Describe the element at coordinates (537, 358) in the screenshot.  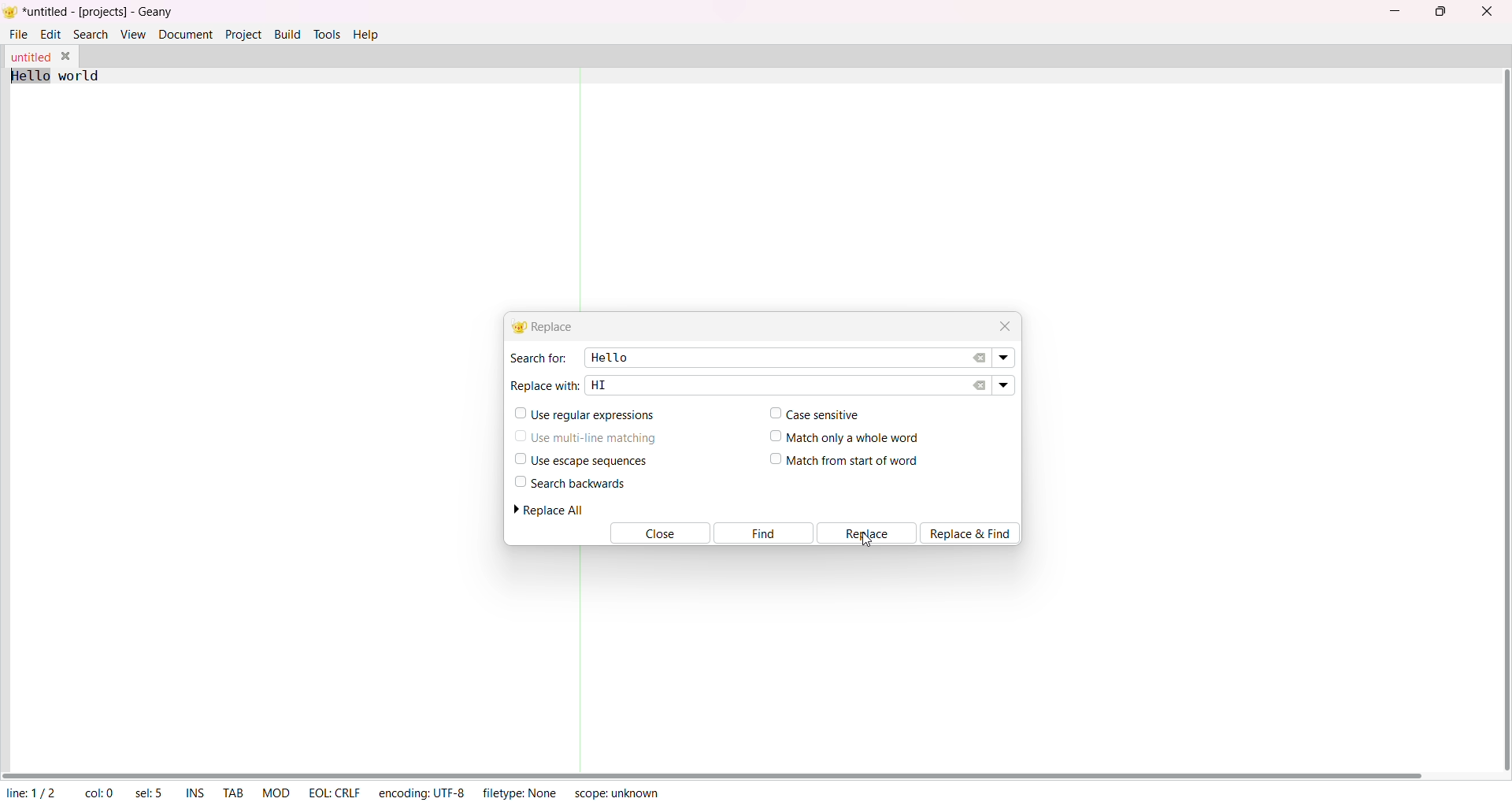
I see `search for` at that location.